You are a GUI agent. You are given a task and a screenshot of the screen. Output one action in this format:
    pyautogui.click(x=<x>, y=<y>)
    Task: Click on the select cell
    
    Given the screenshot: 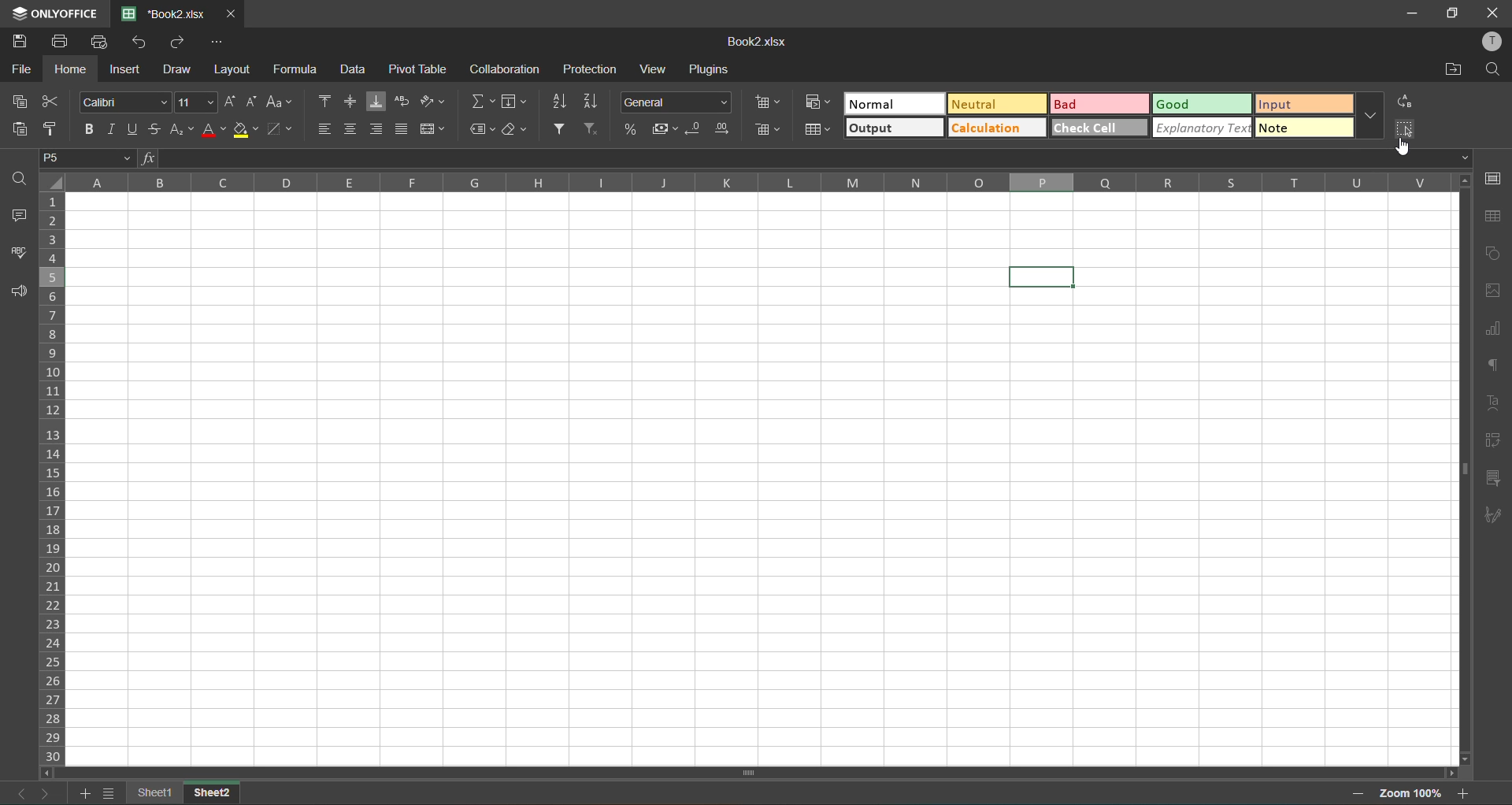 What is the action you would take?
    pyautogui.click(x=1404, y=132)
    